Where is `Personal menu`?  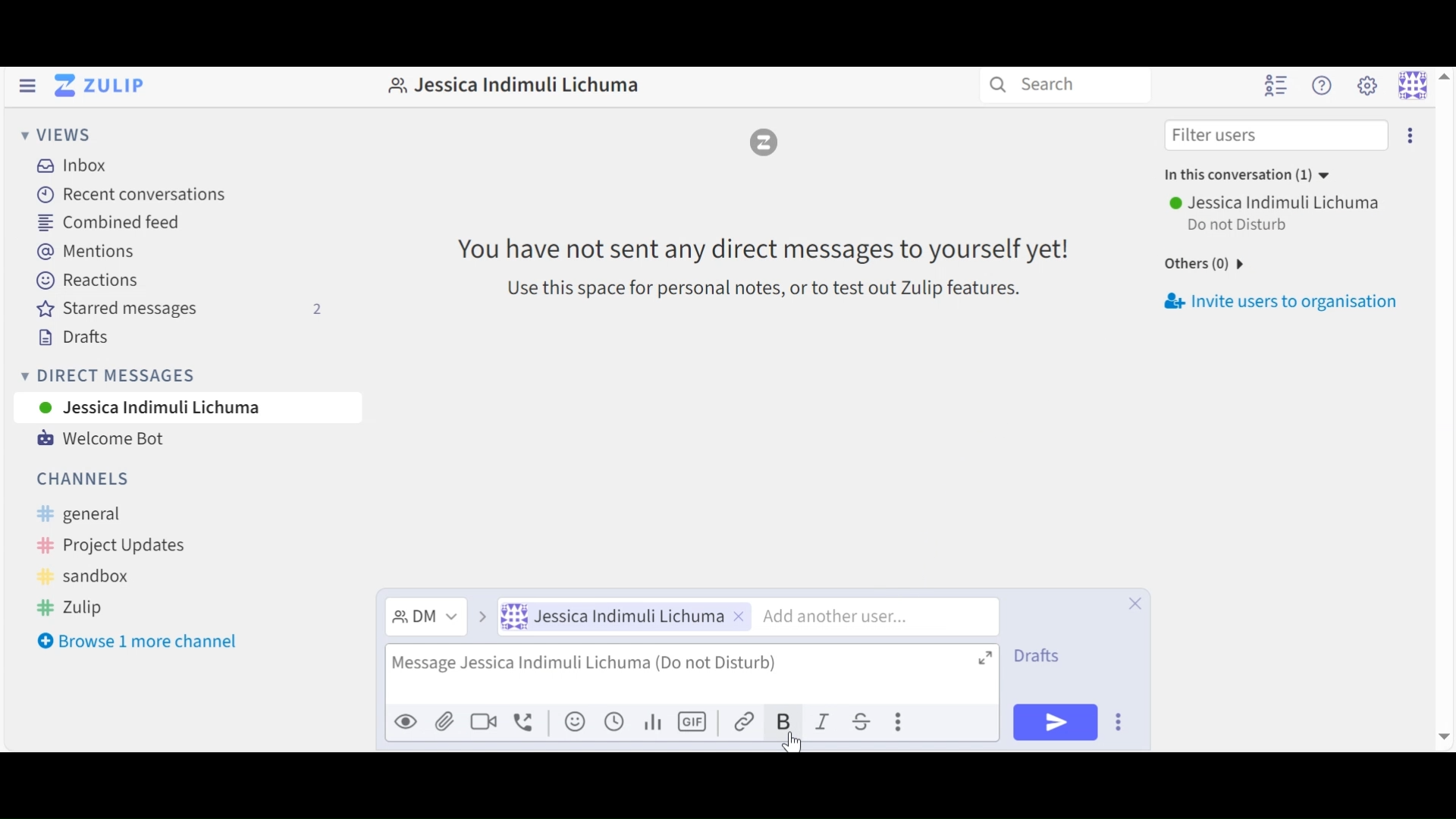 Personal menu is located at coordinates (1425, 83).